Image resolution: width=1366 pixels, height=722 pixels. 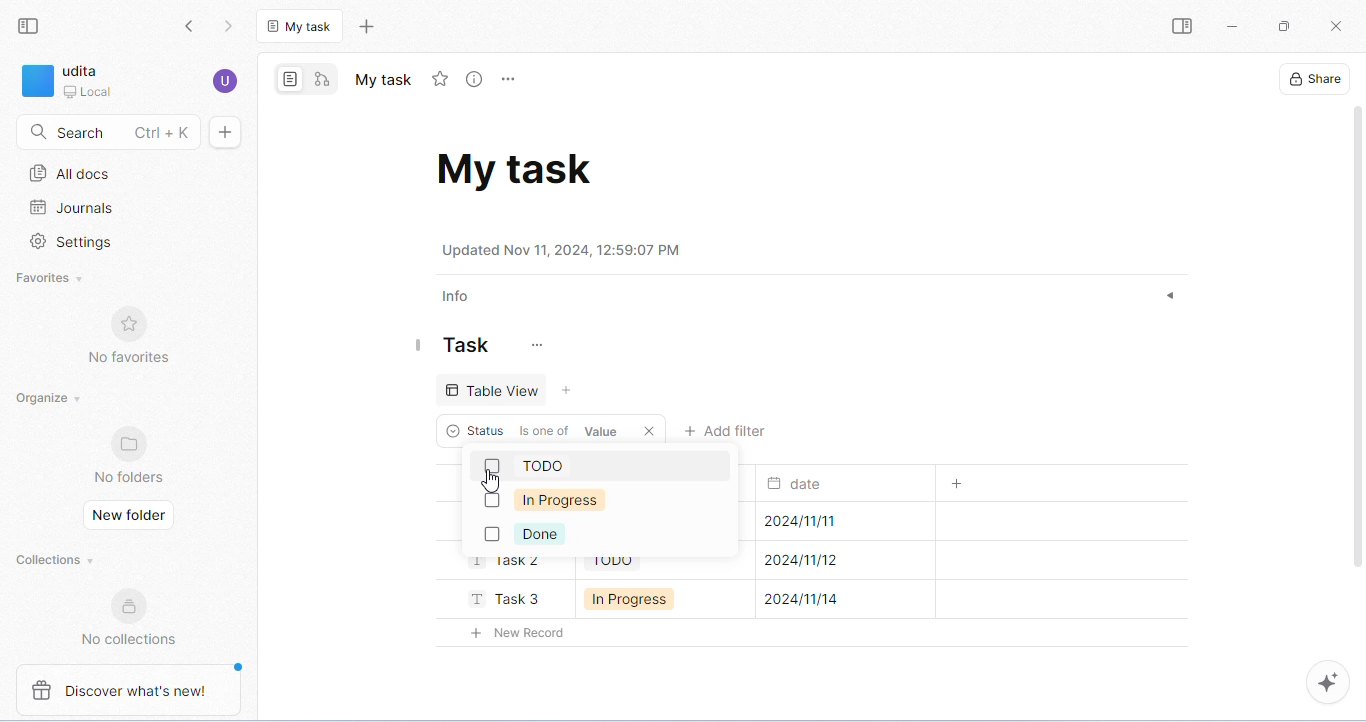 I want to click on new folder, so click(x=128, y=514).